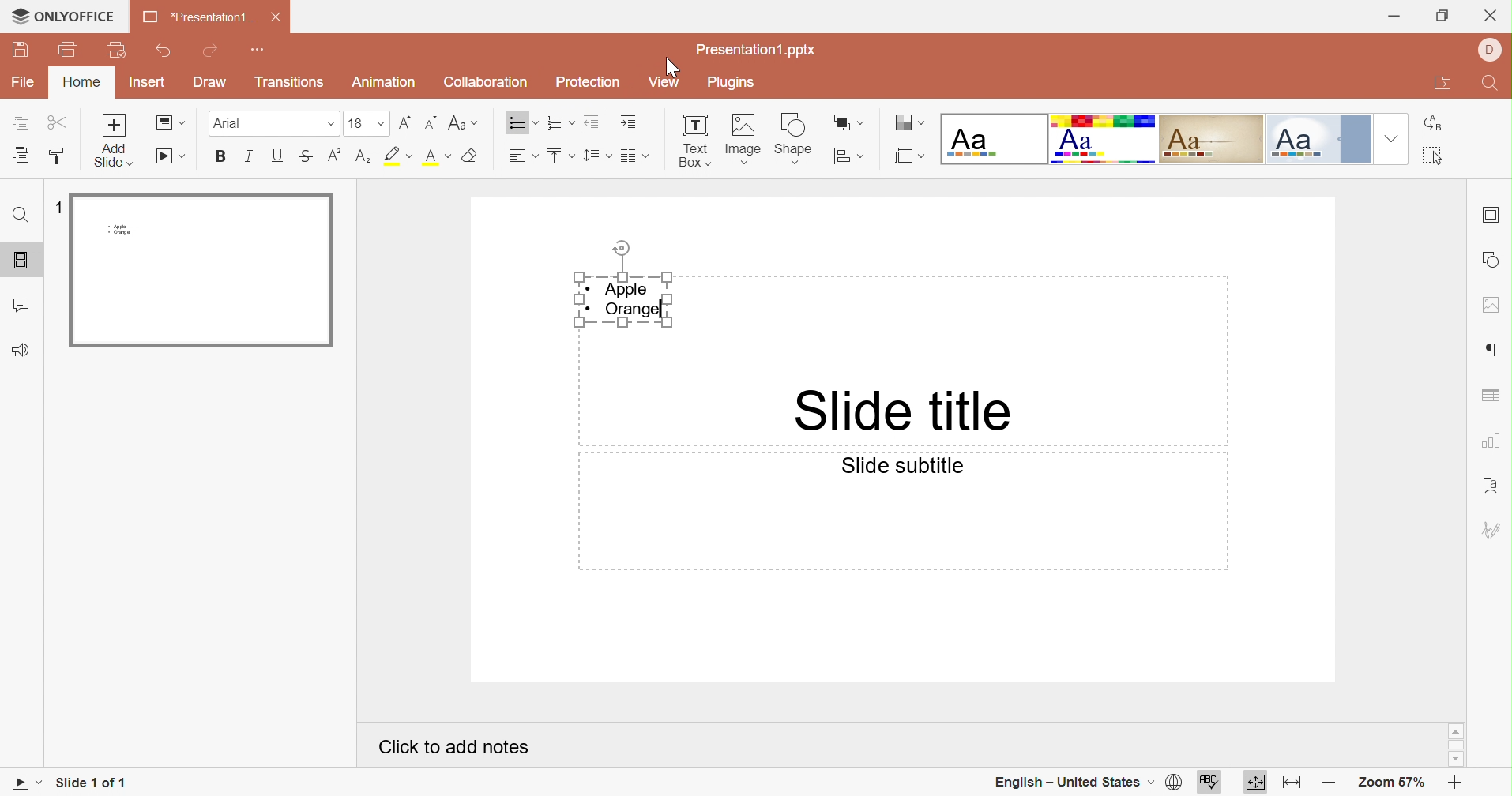 The height and width of the screenshot is (796, 1512). I want to click on Font, so click(231, 124).